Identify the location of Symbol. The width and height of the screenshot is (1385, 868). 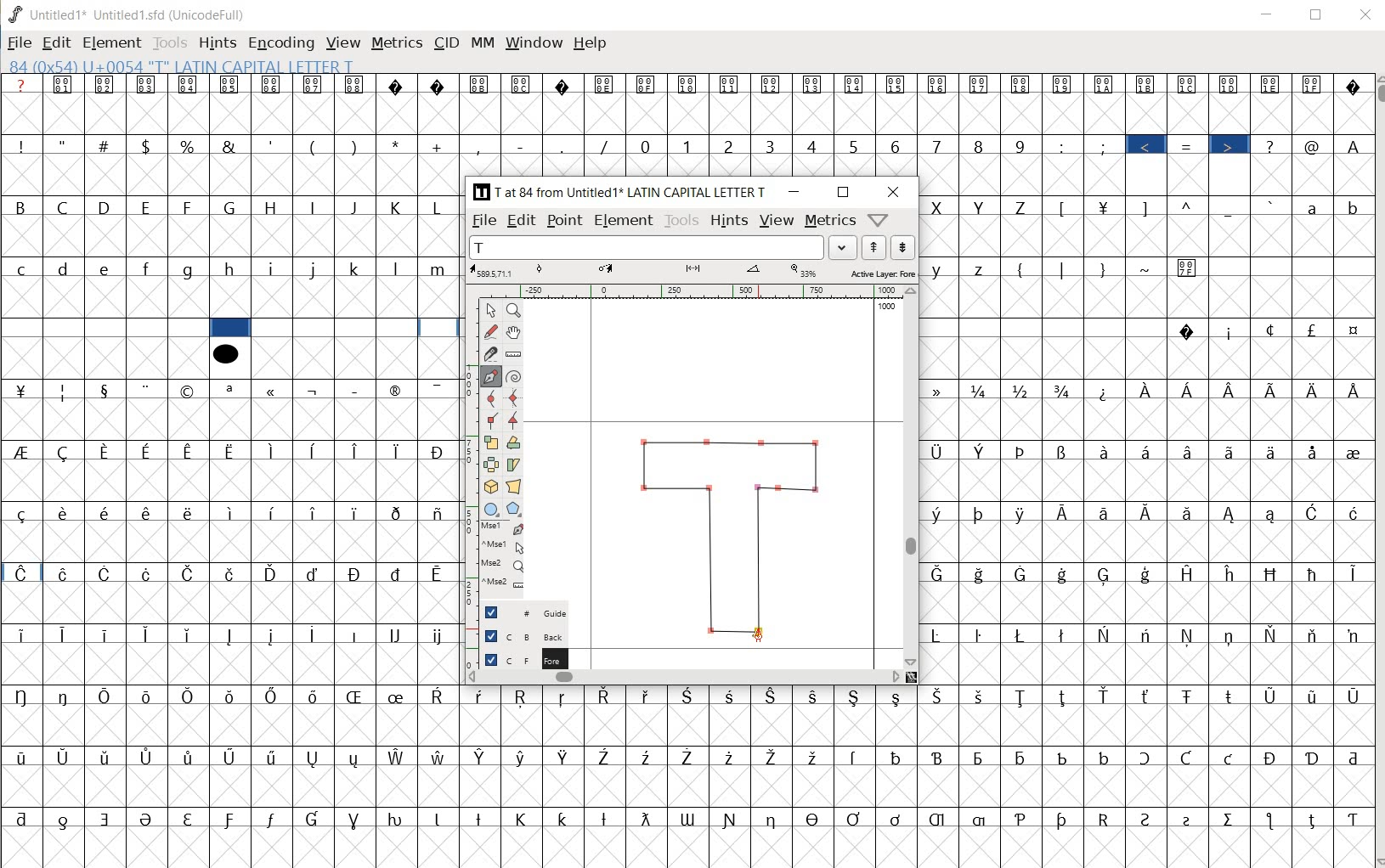
(440, 817).